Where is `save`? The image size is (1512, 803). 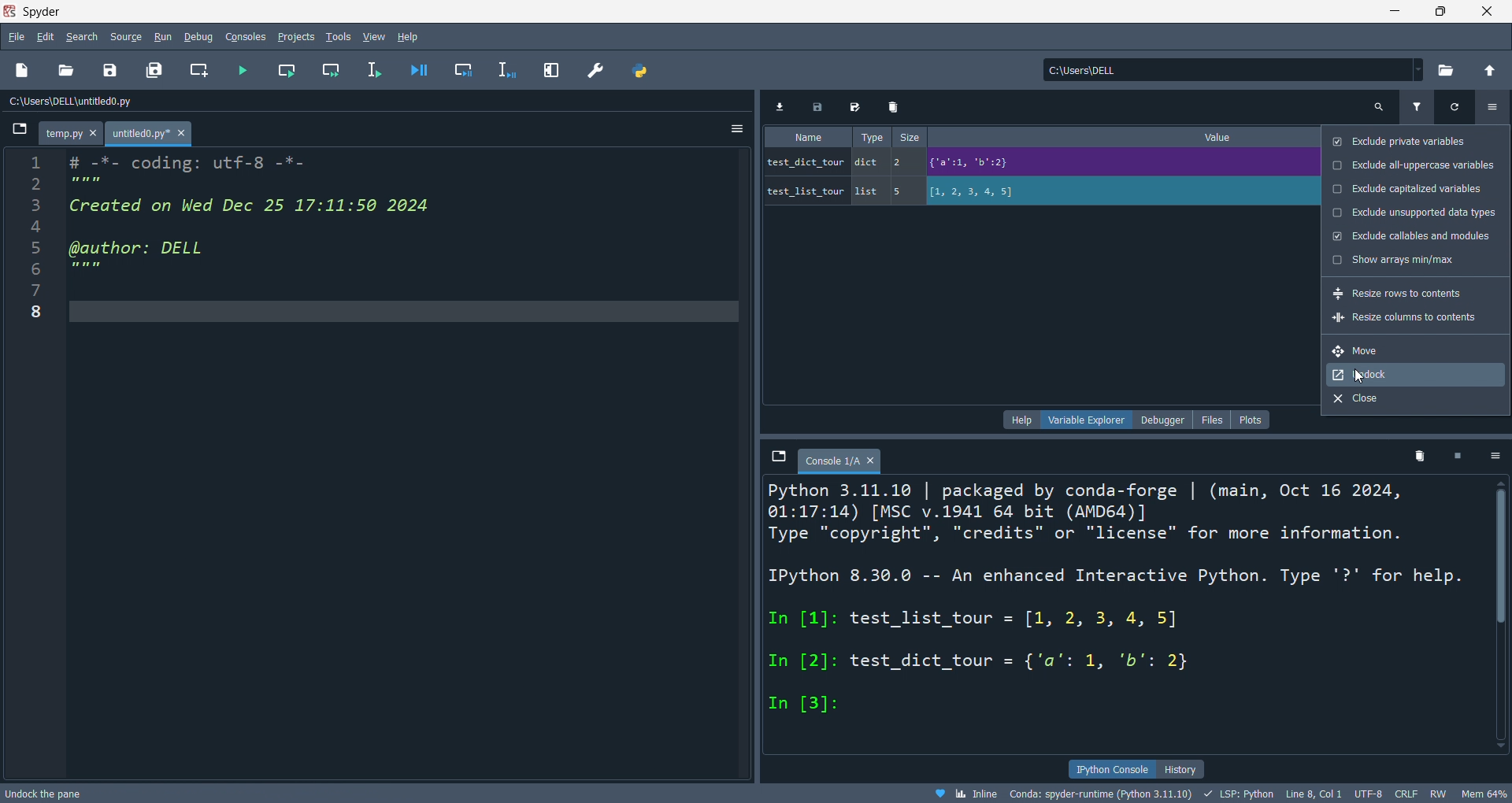 save is located at coordinates (110, 70).